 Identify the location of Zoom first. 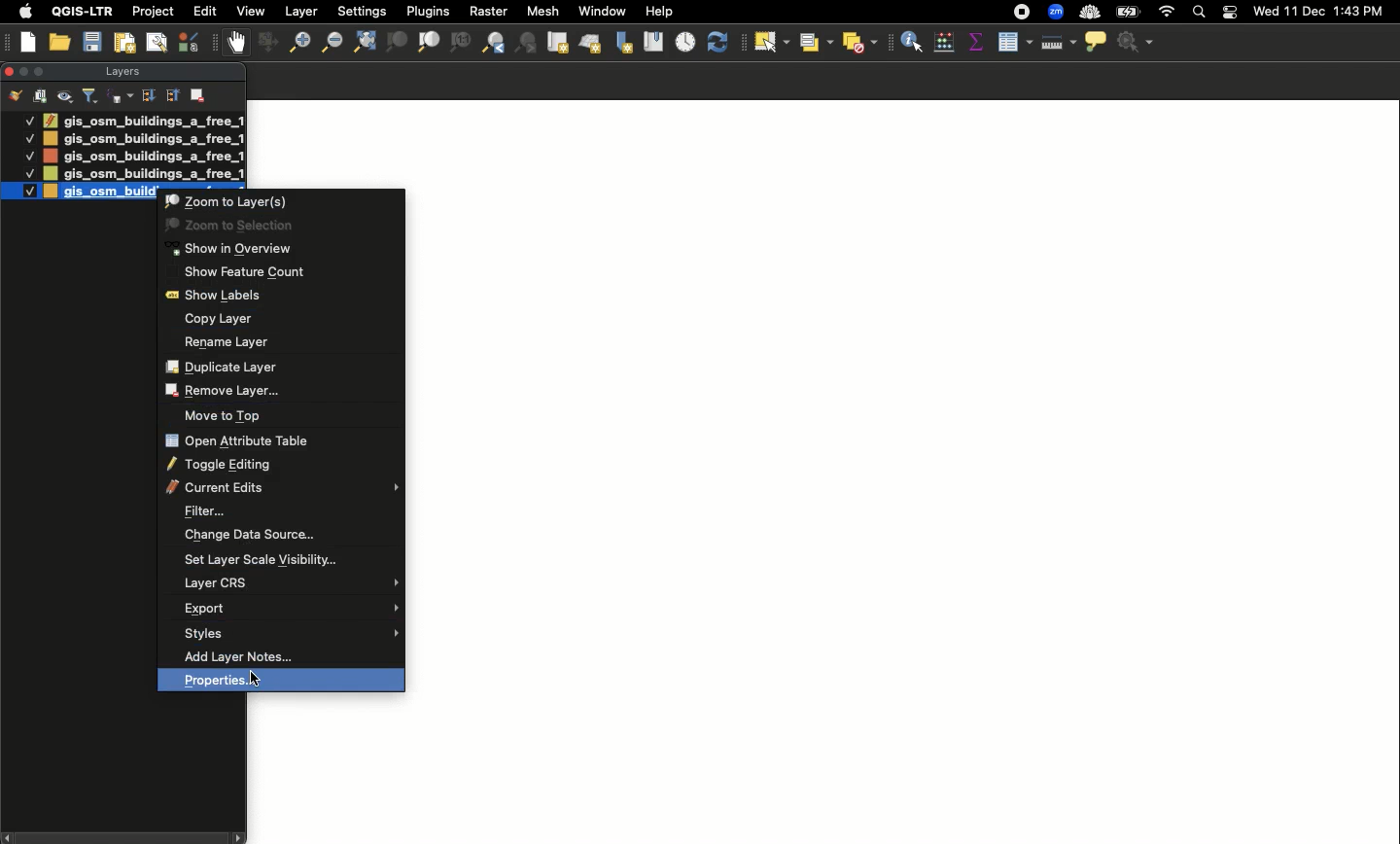
(527, 44).